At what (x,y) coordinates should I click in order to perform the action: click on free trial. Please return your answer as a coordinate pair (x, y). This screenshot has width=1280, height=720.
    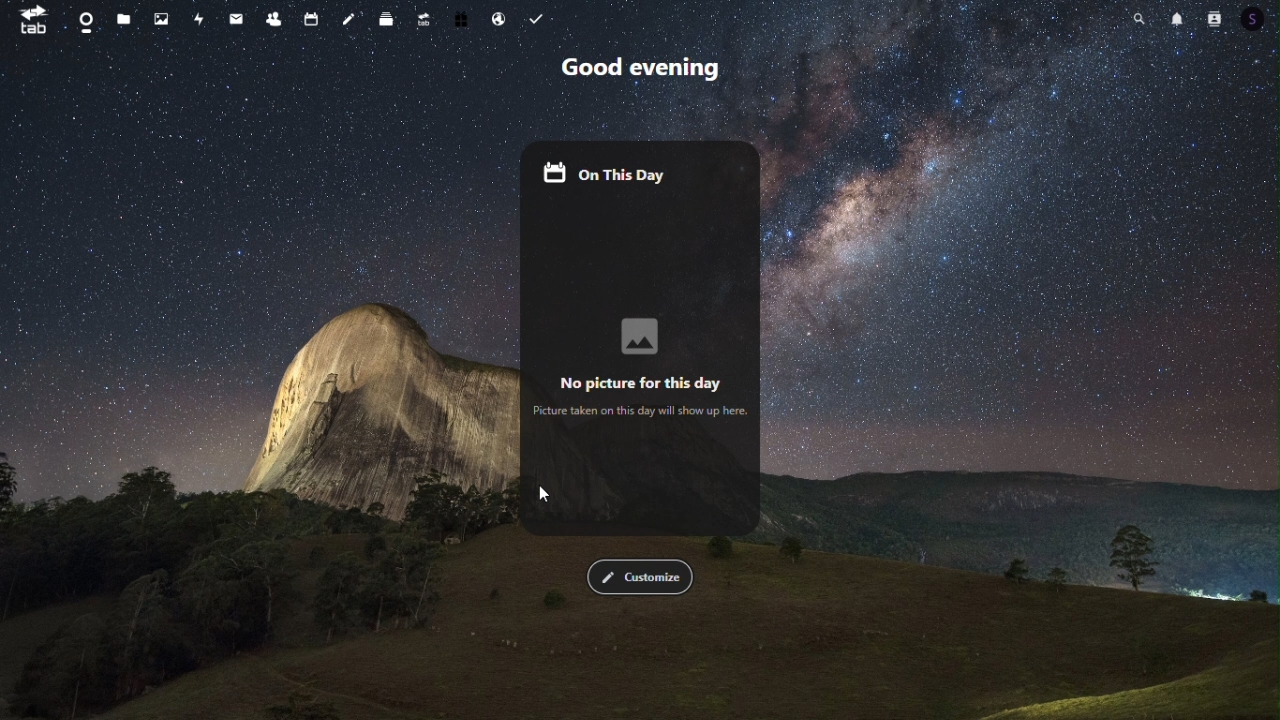
    Looking at the image, I should click on (463, 18).